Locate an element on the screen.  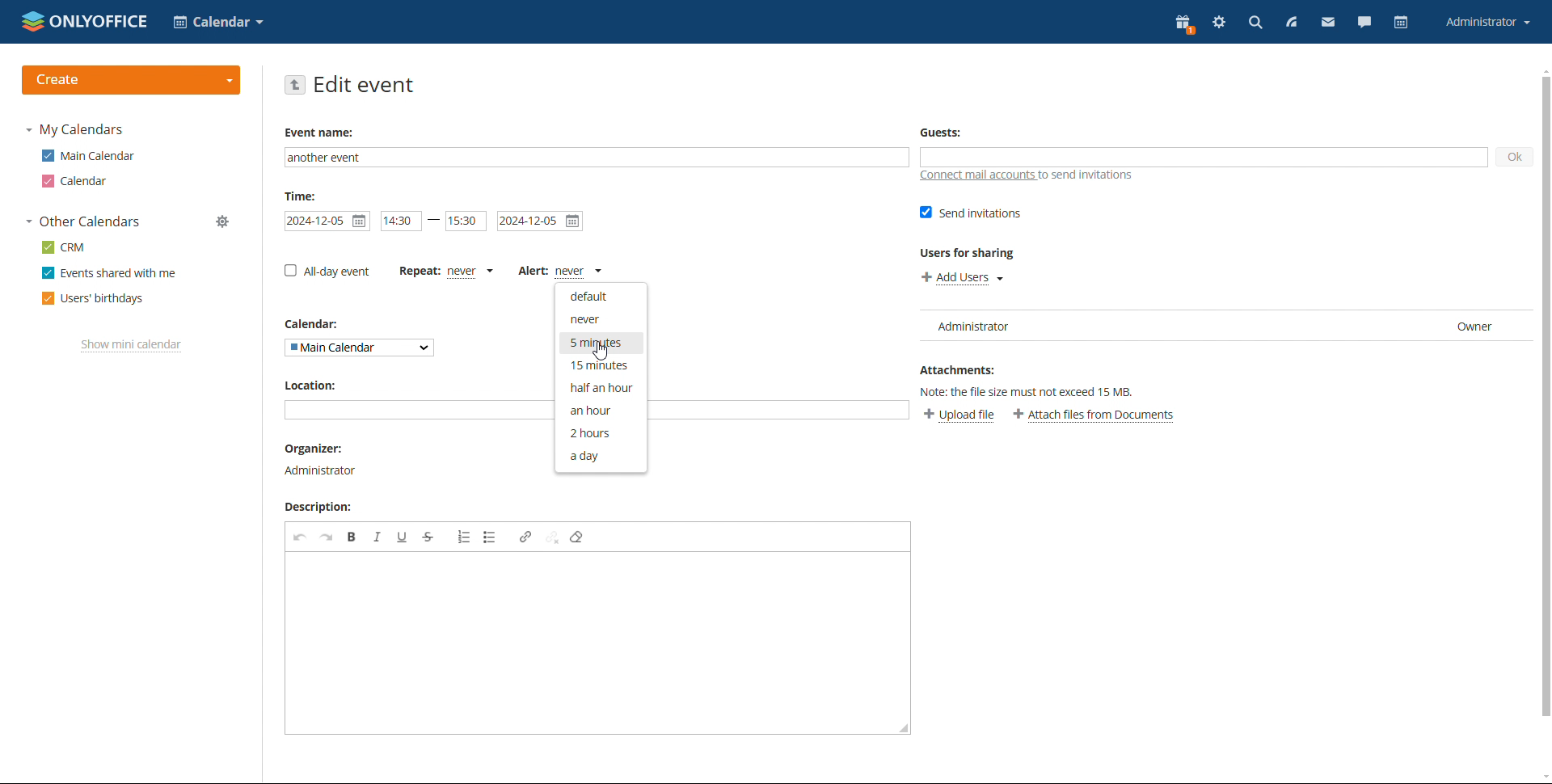
an hour is located at coordinates (601, 409).